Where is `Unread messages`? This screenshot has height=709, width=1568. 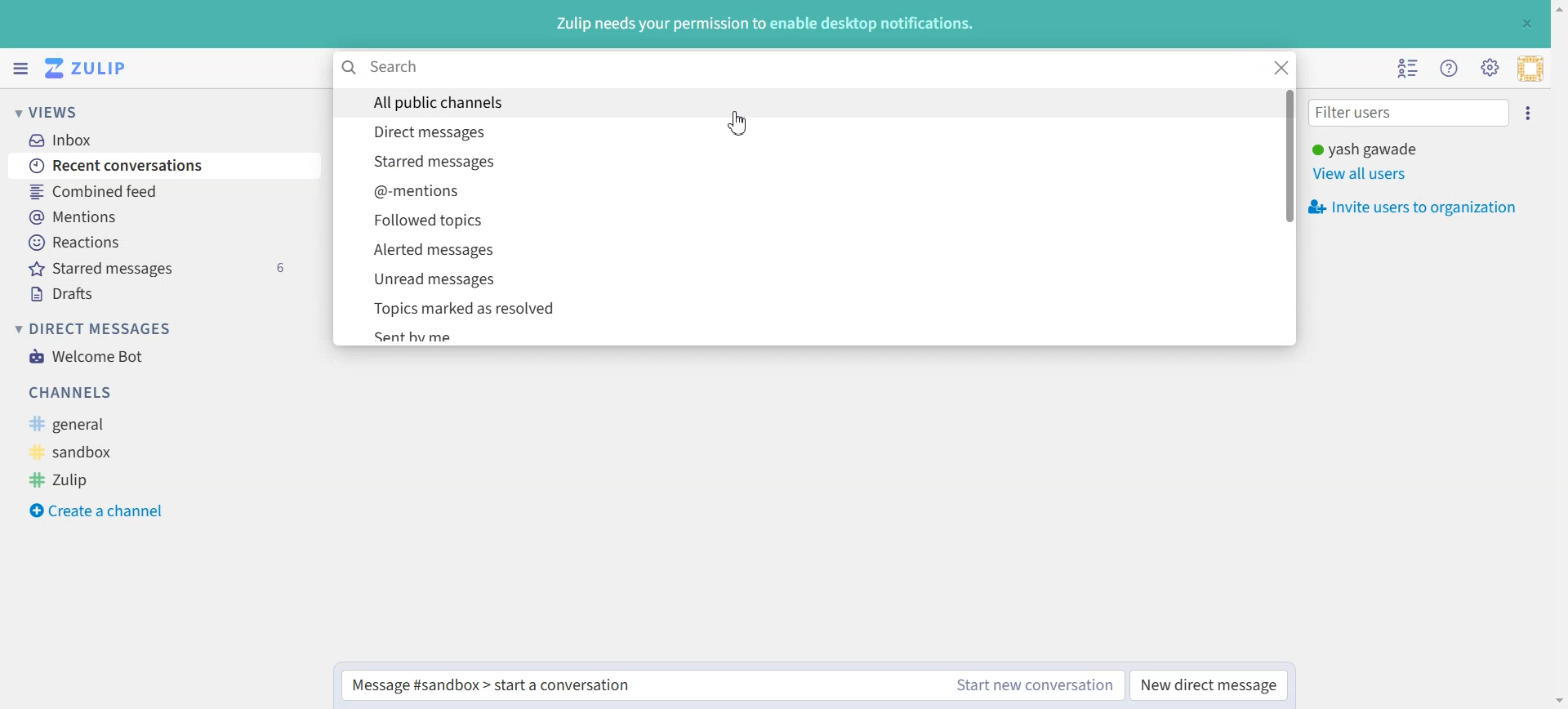 Unread messages is located at coordinates (801, 279).